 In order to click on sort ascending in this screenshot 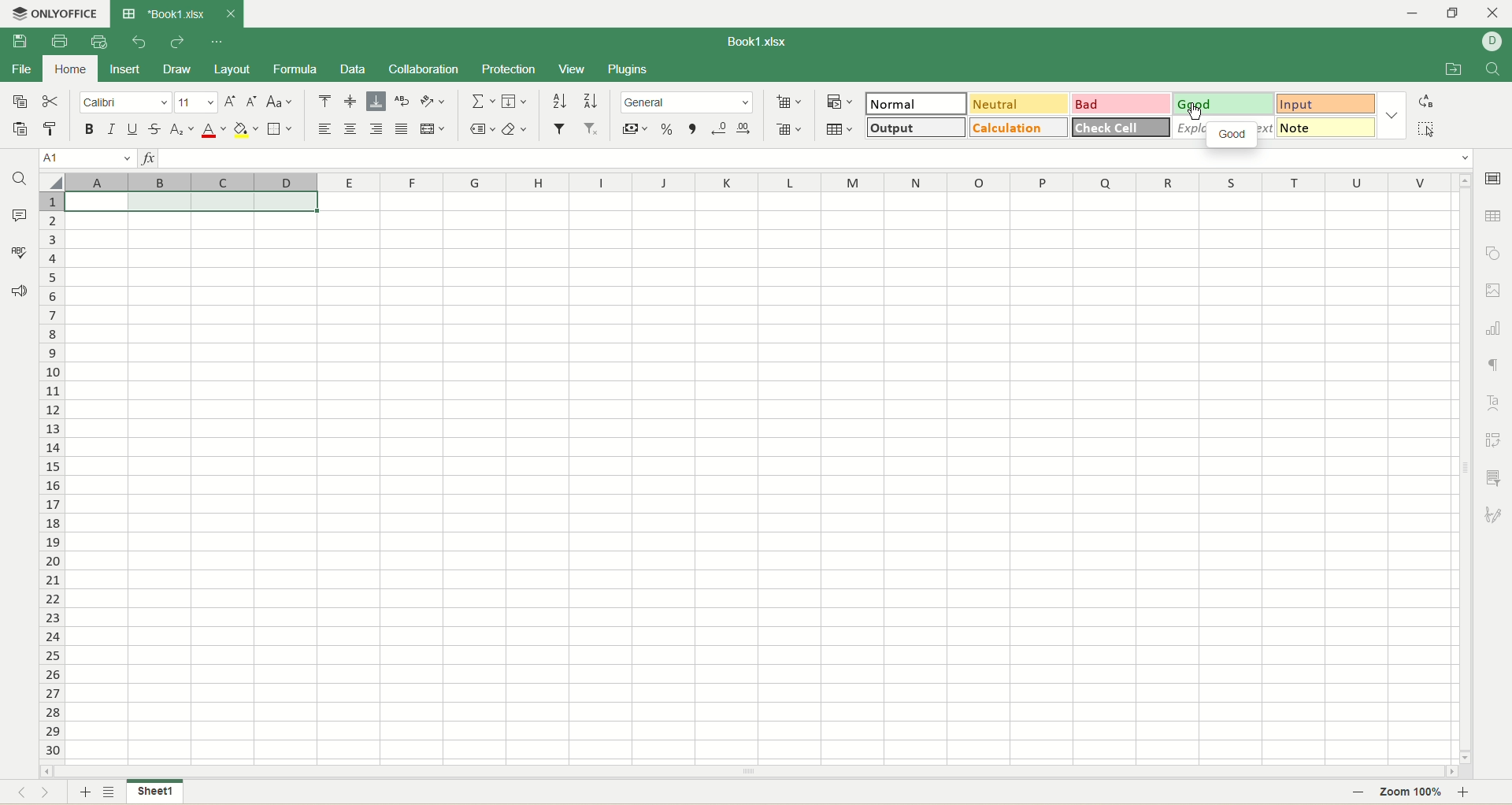, I will do `click(559, 101)`.